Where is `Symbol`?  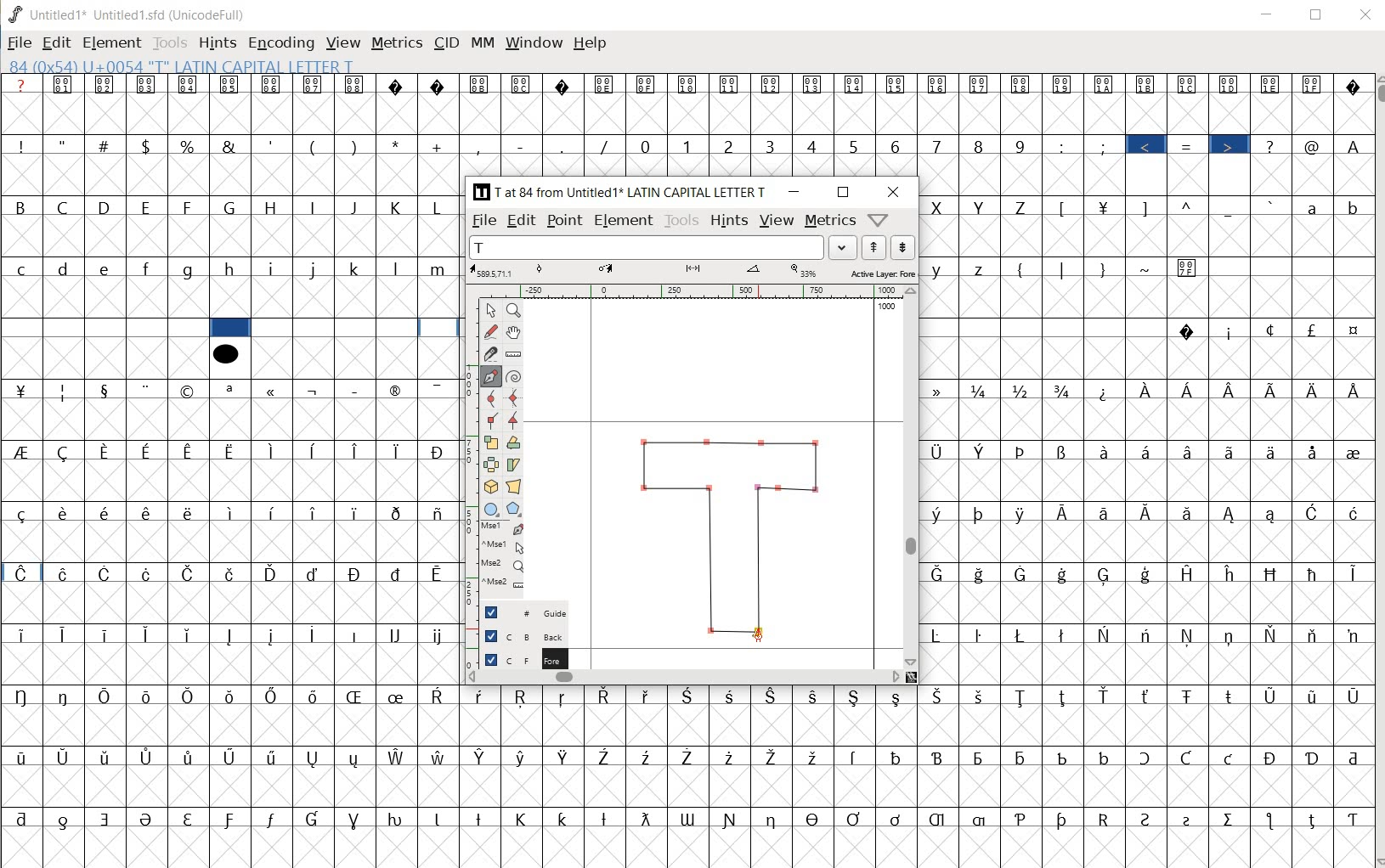 Symbol is located at coordinates (356, 573).